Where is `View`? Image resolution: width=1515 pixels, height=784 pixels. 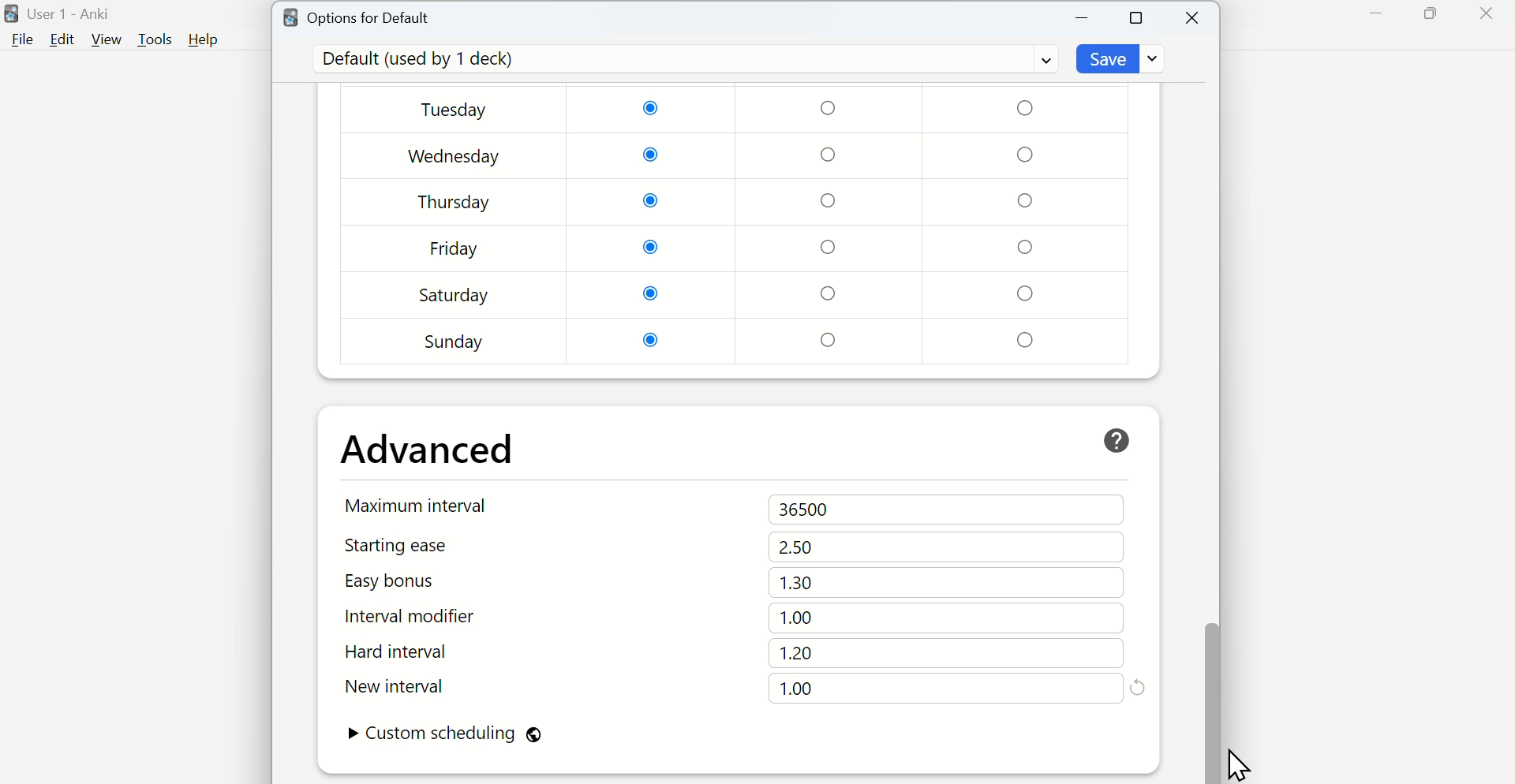 View is located at coordinates (107, 39).